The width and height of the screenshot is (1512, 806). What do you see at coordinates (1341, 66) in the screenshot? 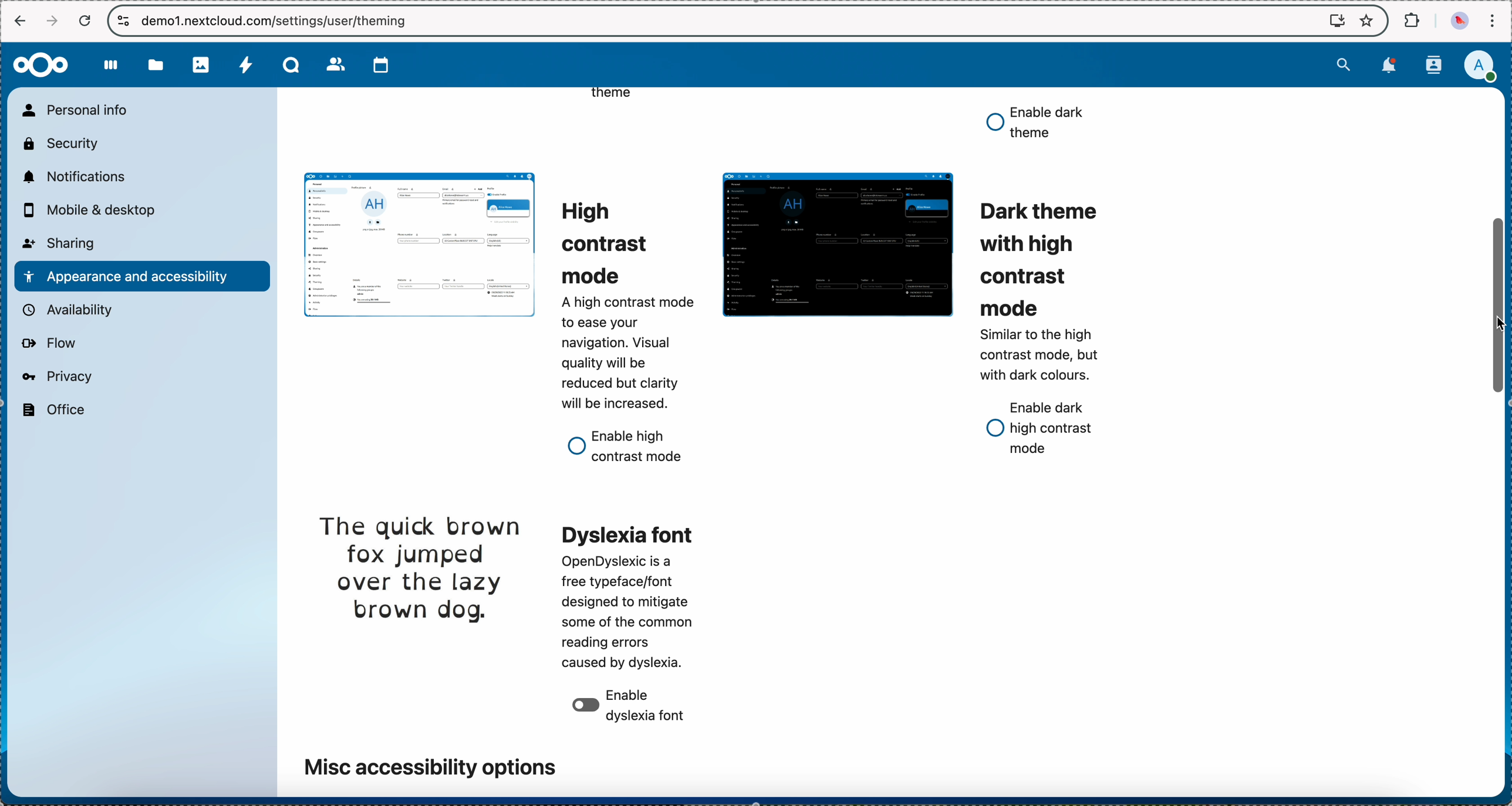
I see `search` at bounding box center [1341, 66].